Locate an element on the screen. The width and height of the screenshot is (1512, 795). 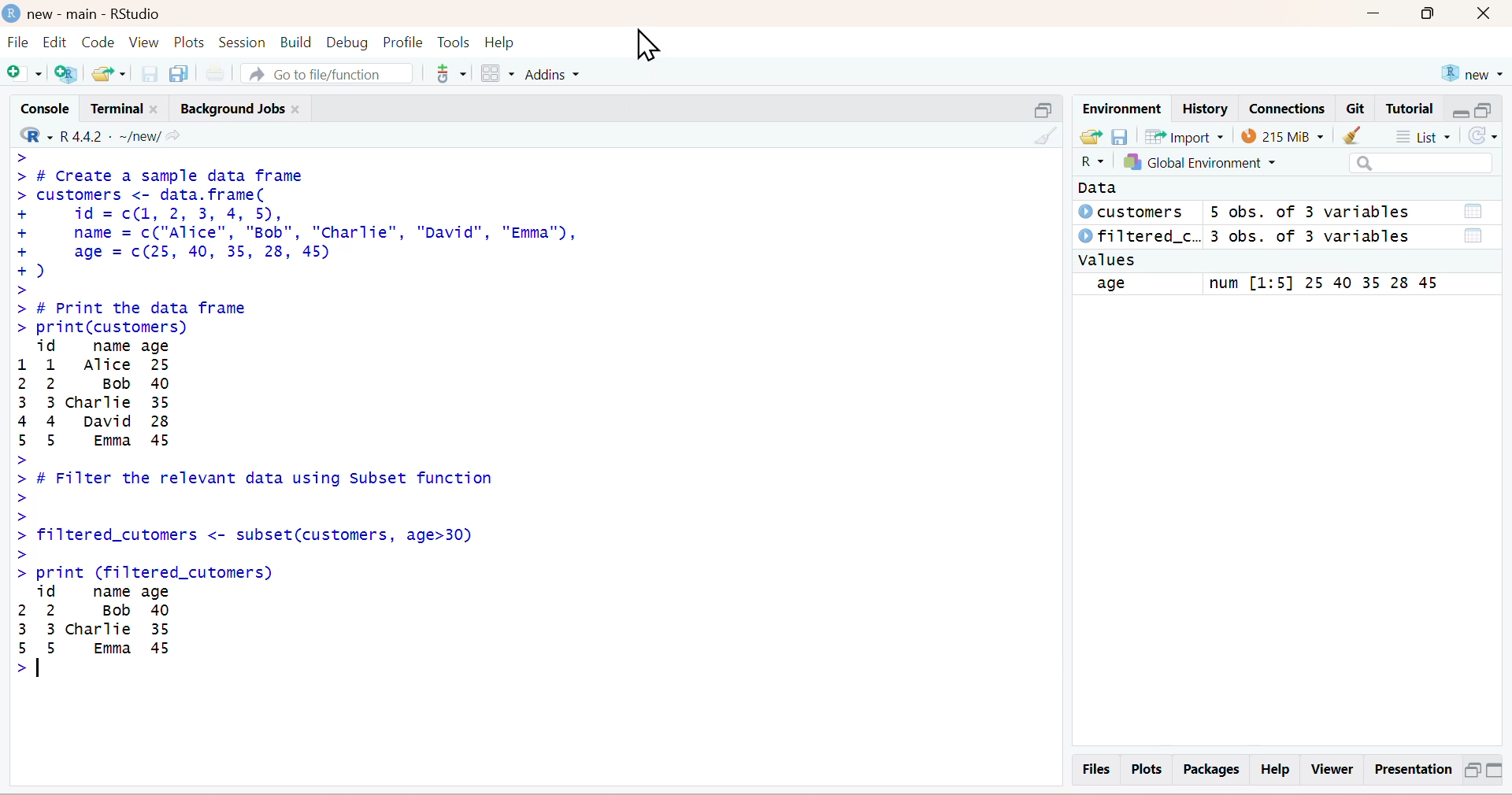
File is located at coordinates (17, 44).